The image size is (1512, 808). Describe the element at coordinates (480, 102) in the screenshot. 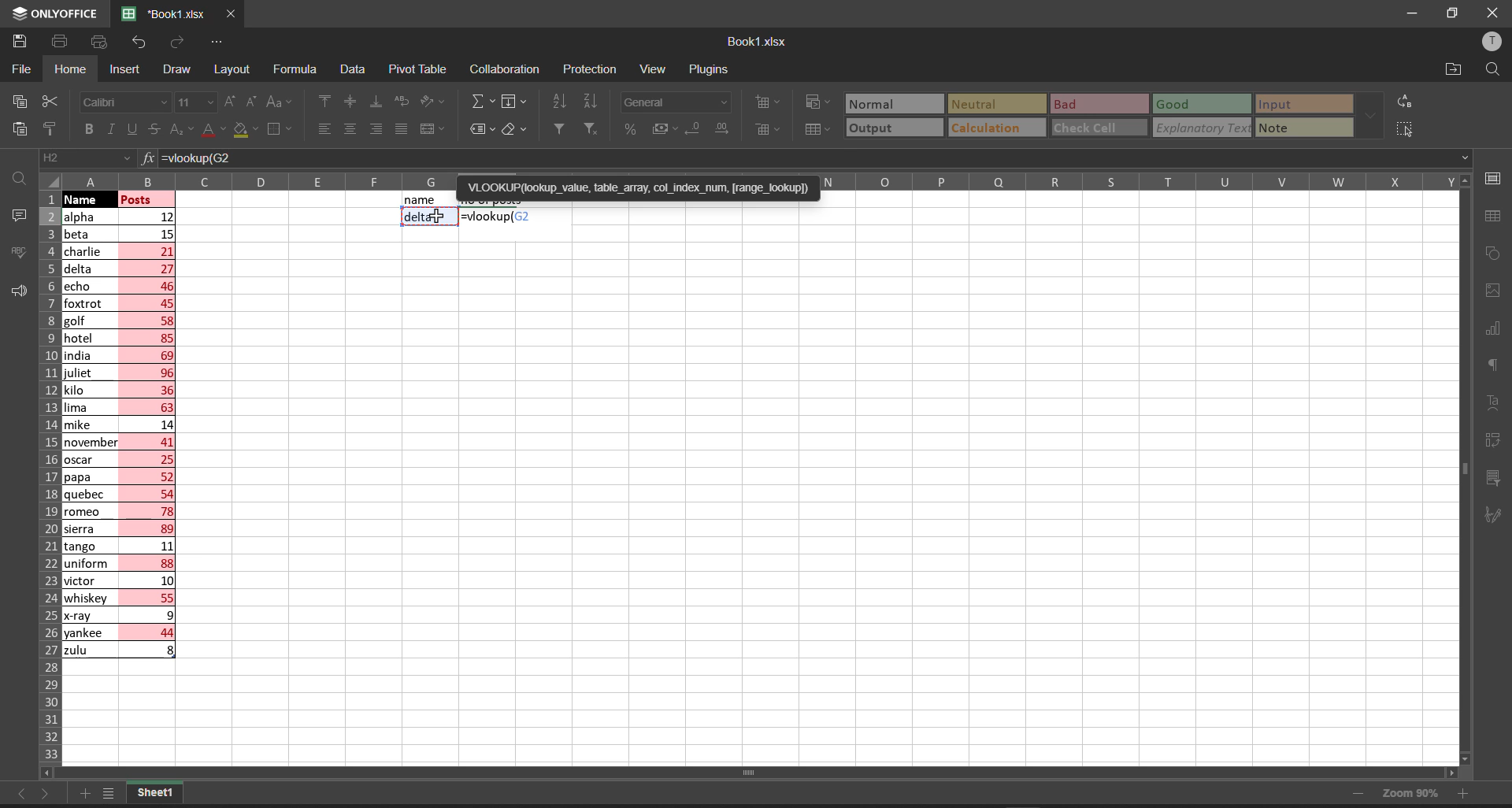

I see `summation` at that location.